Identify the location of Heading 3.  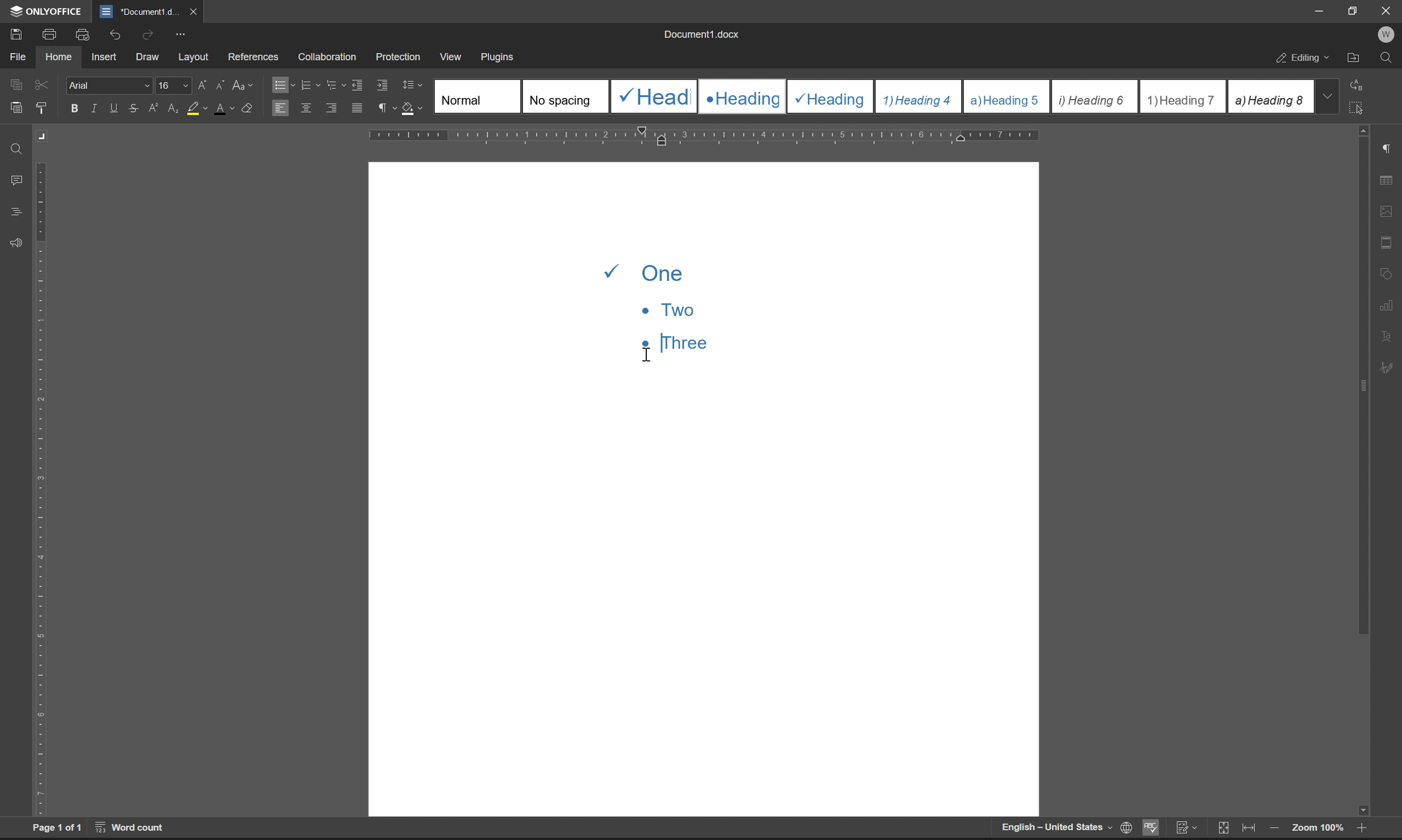
(831, 97).